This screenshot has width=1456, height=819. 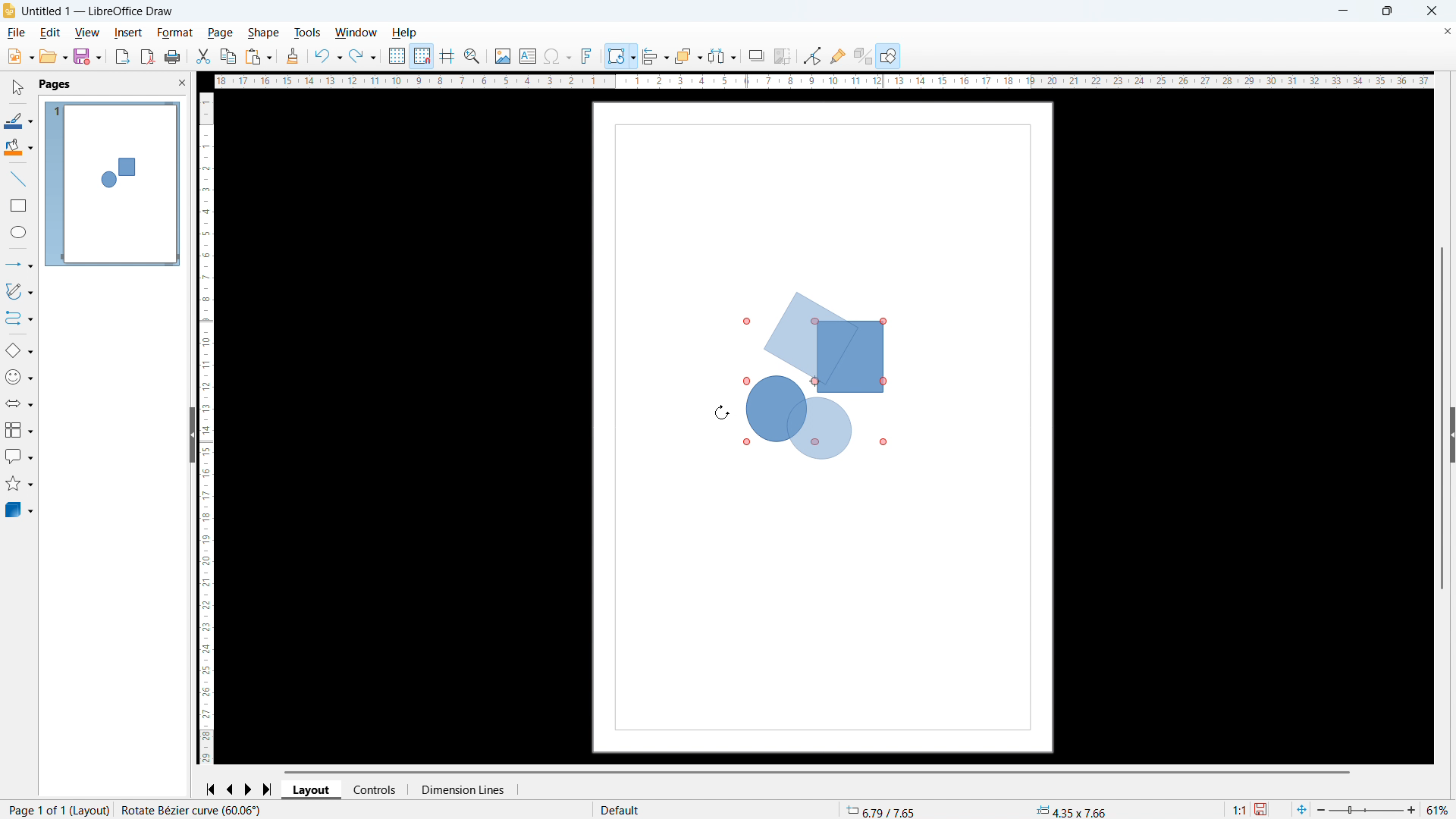 What do you see at coordinates (53, 57) in the screenshot?
I see `open ` at bounding box center [53, 57].